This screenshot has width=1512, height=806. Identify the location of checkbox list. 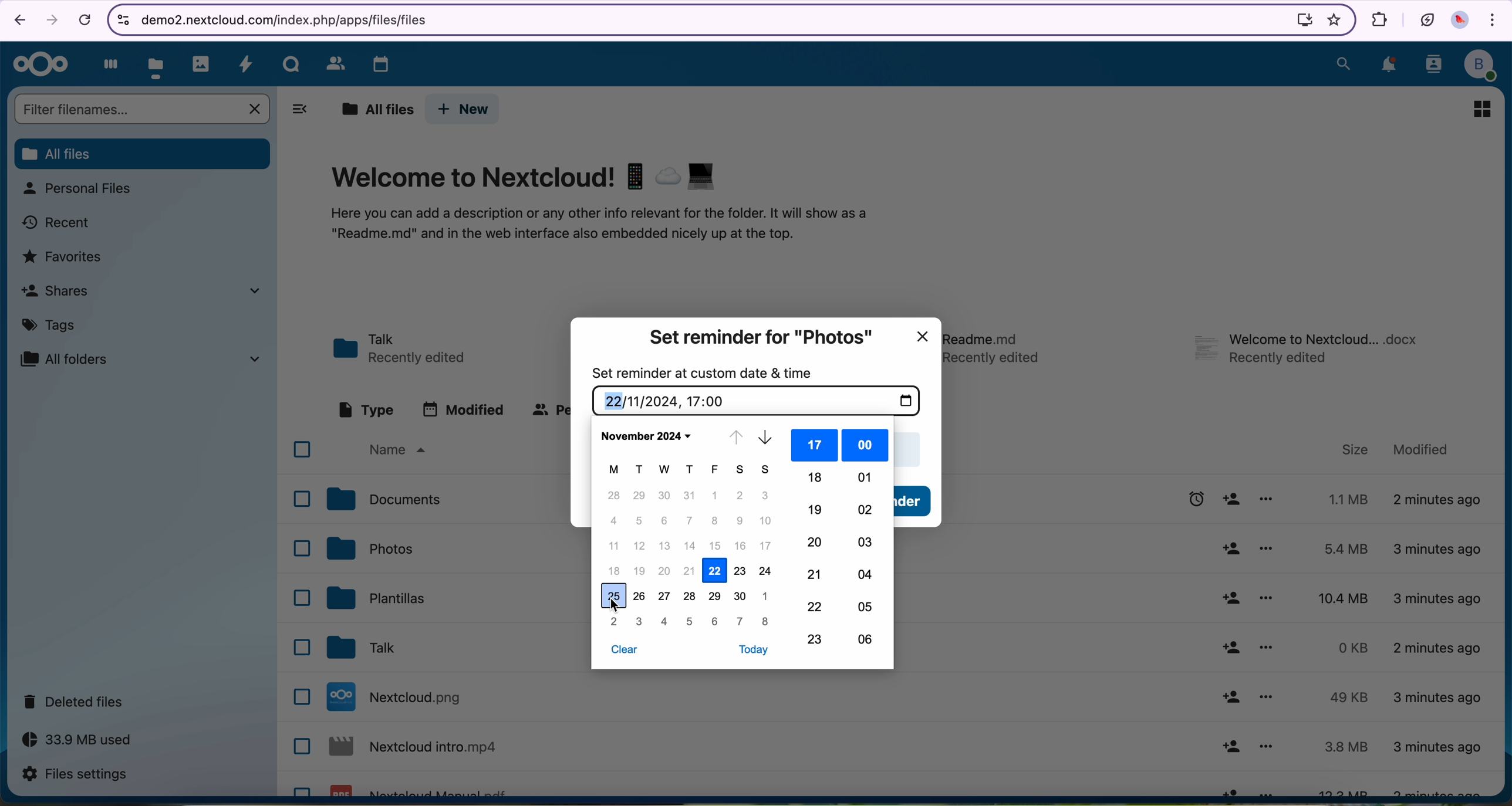
(298, 614).